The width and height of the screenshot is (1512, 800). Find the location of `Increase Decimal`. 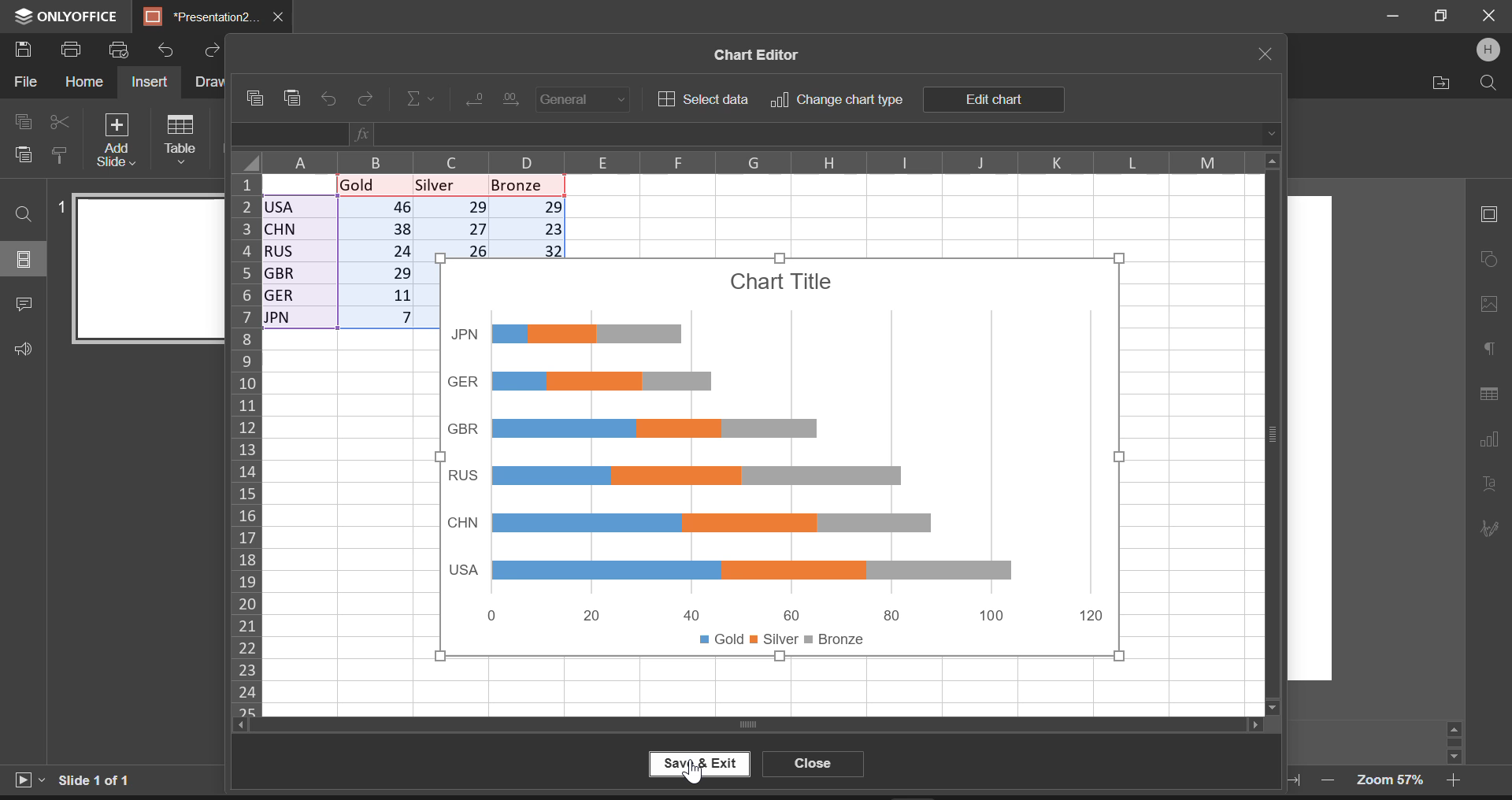

Increase Decimal is located at coordinates (512, 96).